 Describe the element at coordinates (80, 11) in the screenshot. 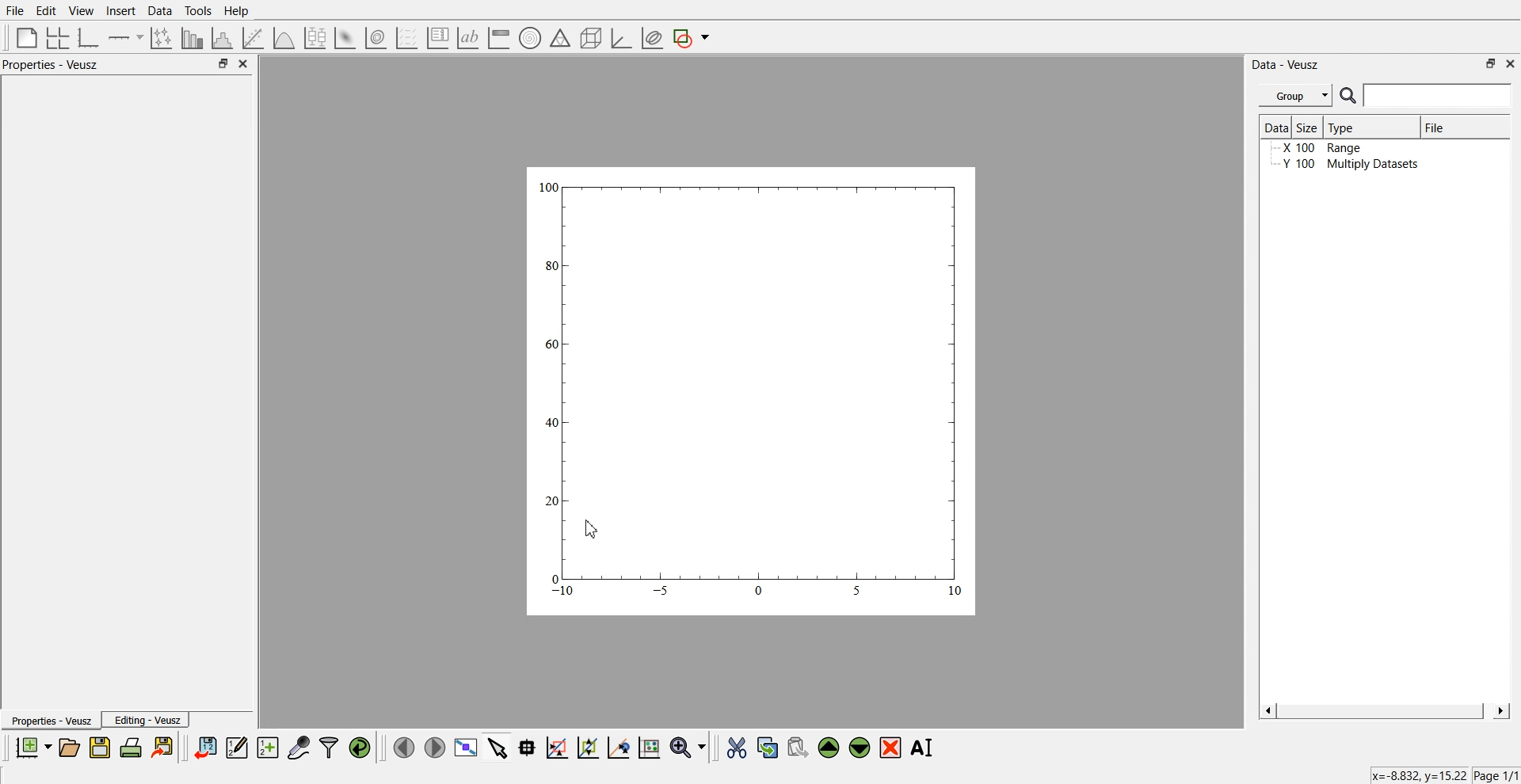

I see `View` at that location.